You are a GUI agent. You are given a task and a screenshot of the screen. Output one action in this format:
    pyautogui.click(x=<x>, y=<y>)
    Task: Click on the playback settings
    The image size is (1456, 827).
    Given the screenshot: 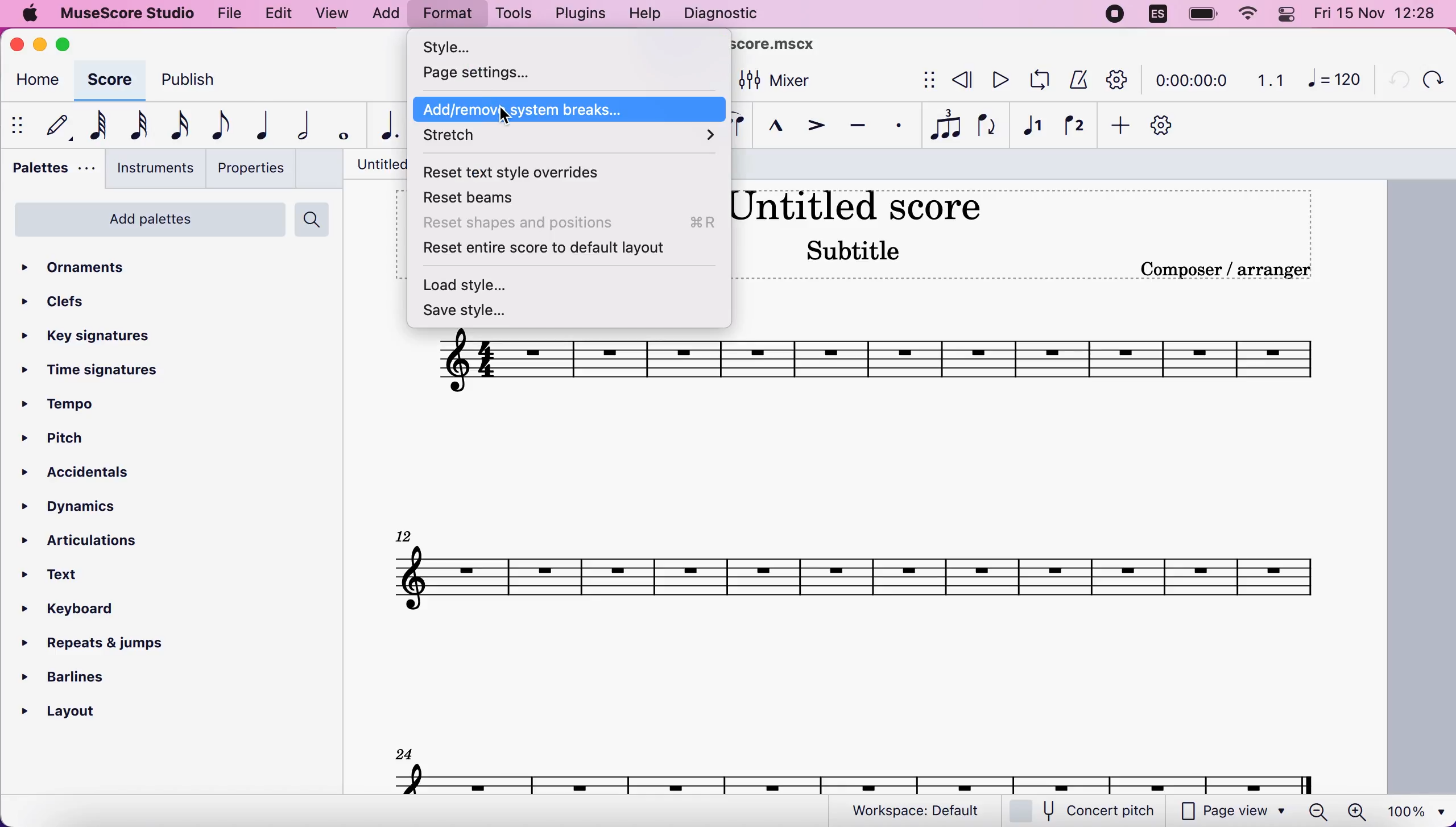 What is the action you would take?
    pyautogui.click(x=1118, y=79)
    